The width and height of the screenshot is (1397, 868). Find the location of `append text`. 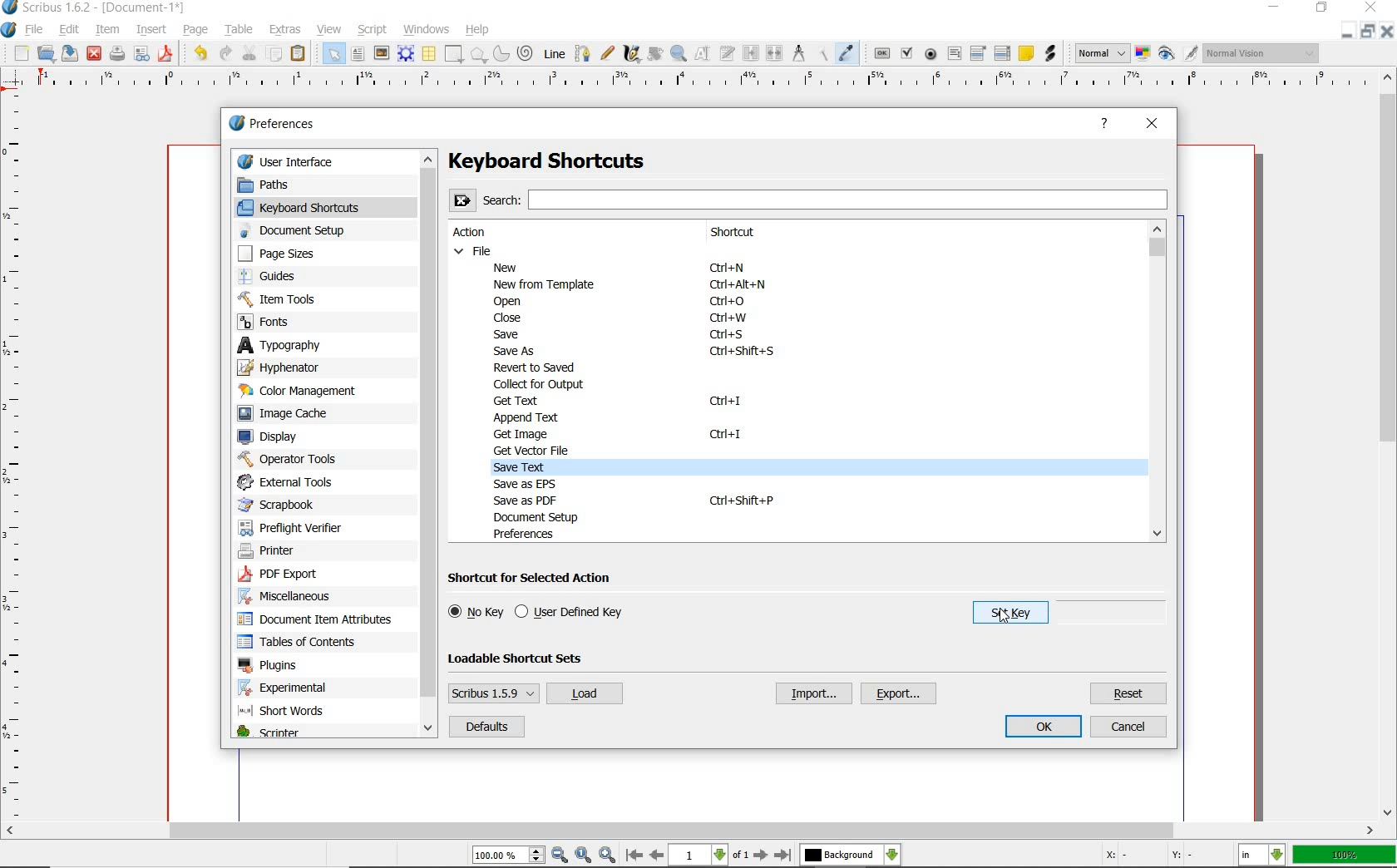

append text is located at coordinates (525, 417).